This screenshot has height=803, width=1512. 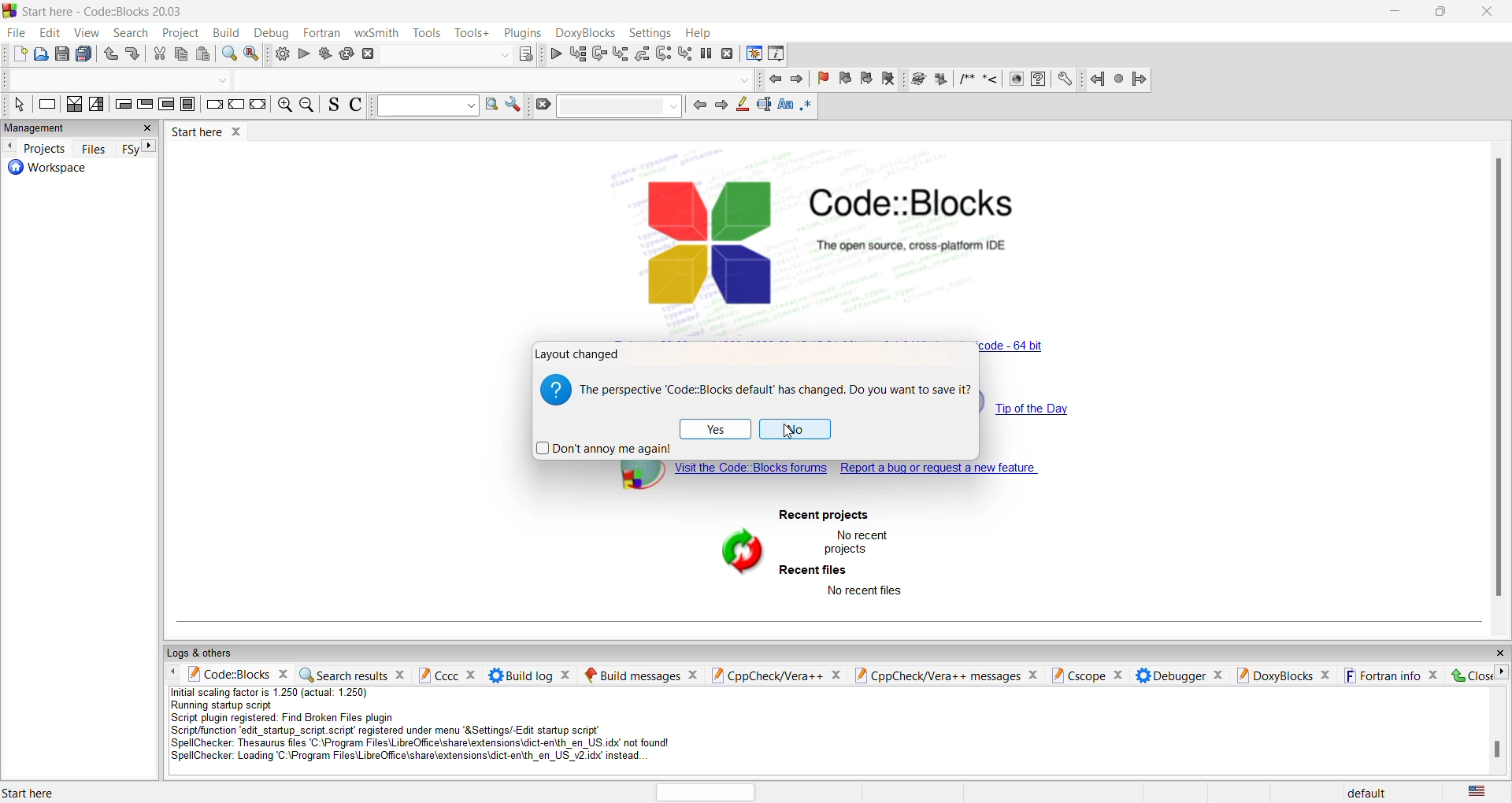 I want to click on fsync, so click(x=129, y=148).